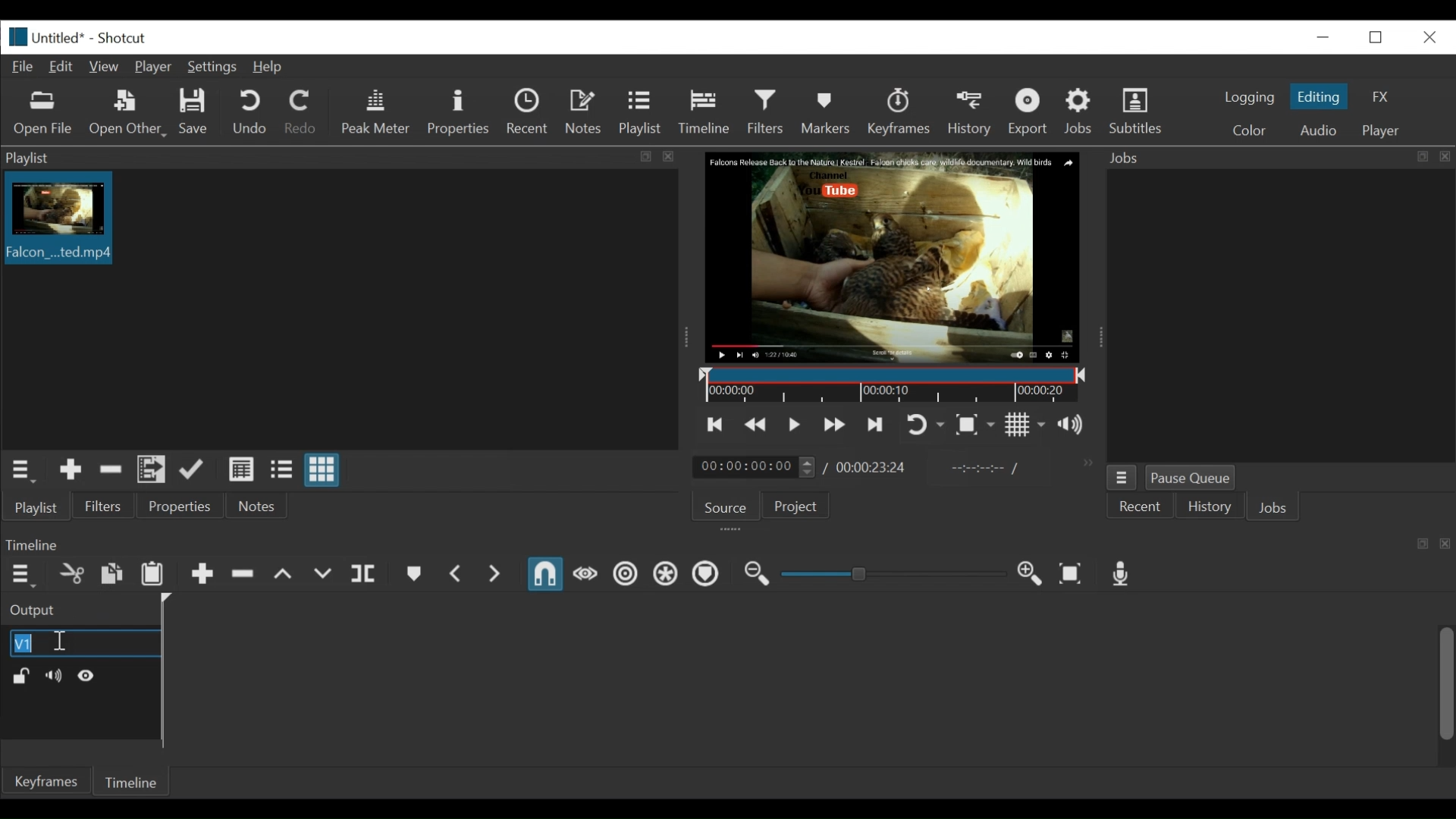 Image resolution: width=1456 pixels, height=819 pixels. What do you see at coordinates (755, 468) in the screenshot?
I see `Current duration` at bounding box center [755, 468].